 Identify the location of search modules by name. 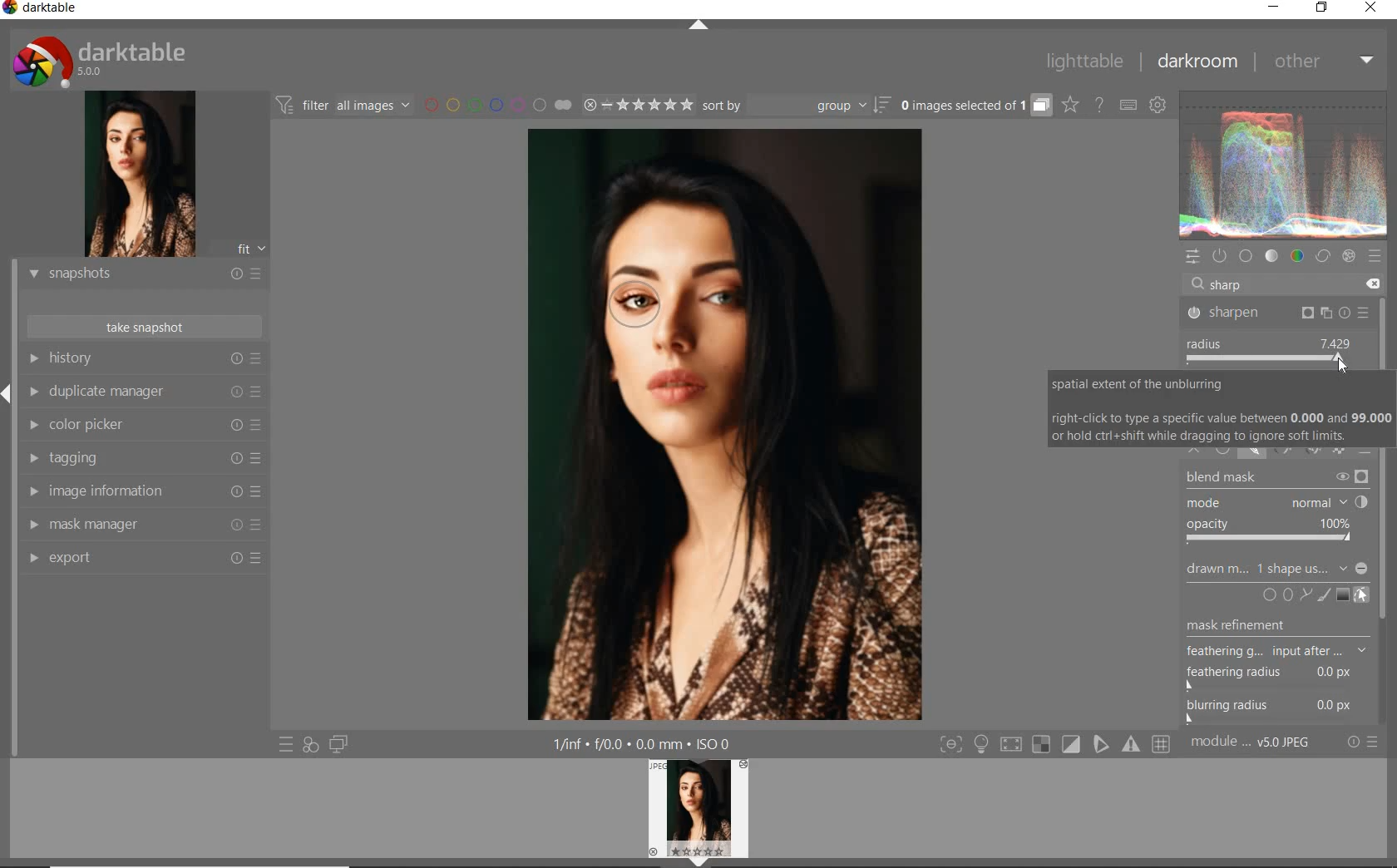
(1279, 284).